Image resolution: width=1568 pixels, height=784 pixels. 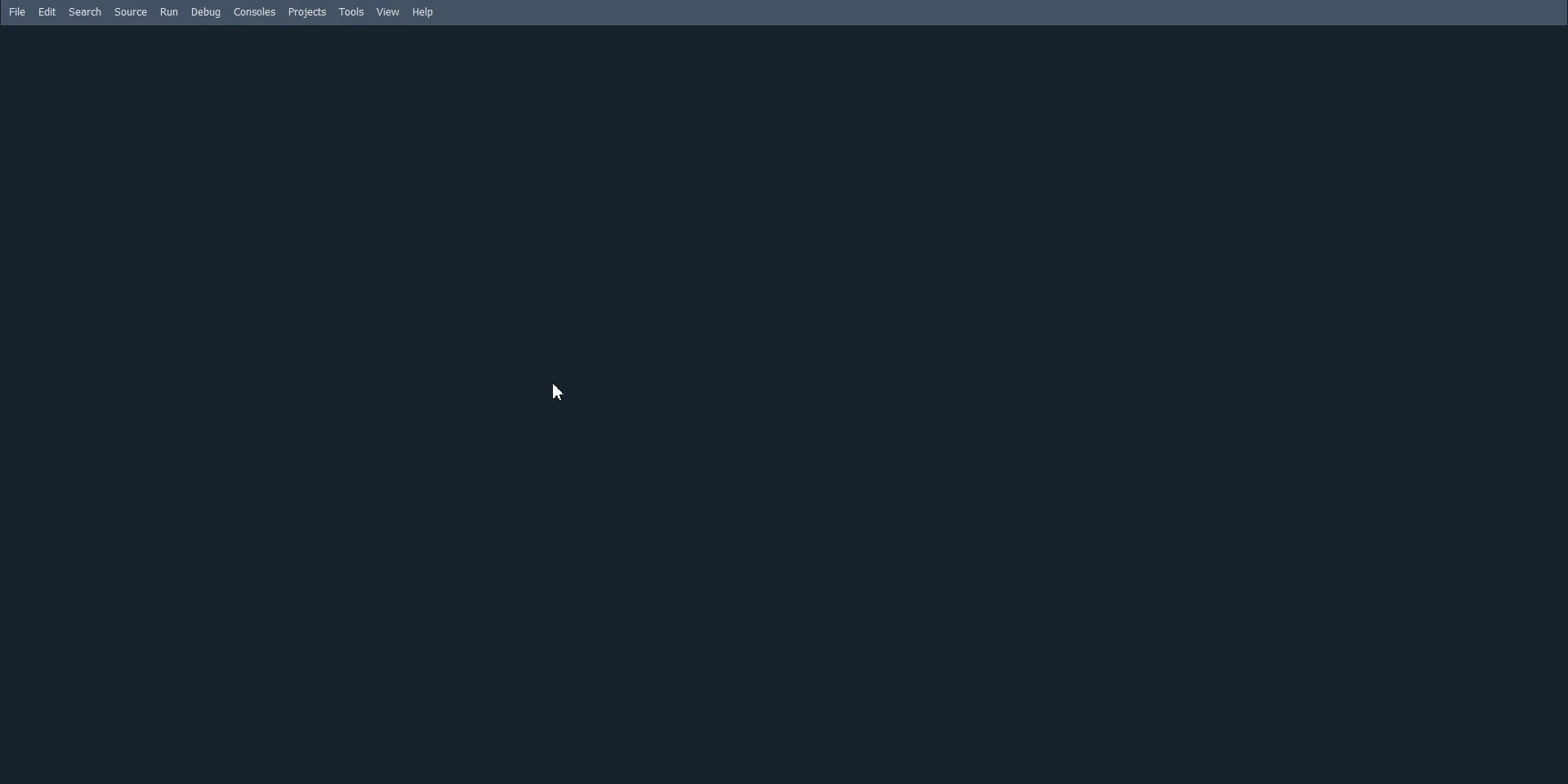 What do you see at coordinates (131, 11) in the screenshot?
I see `Source` at bounding box center [131, 11].